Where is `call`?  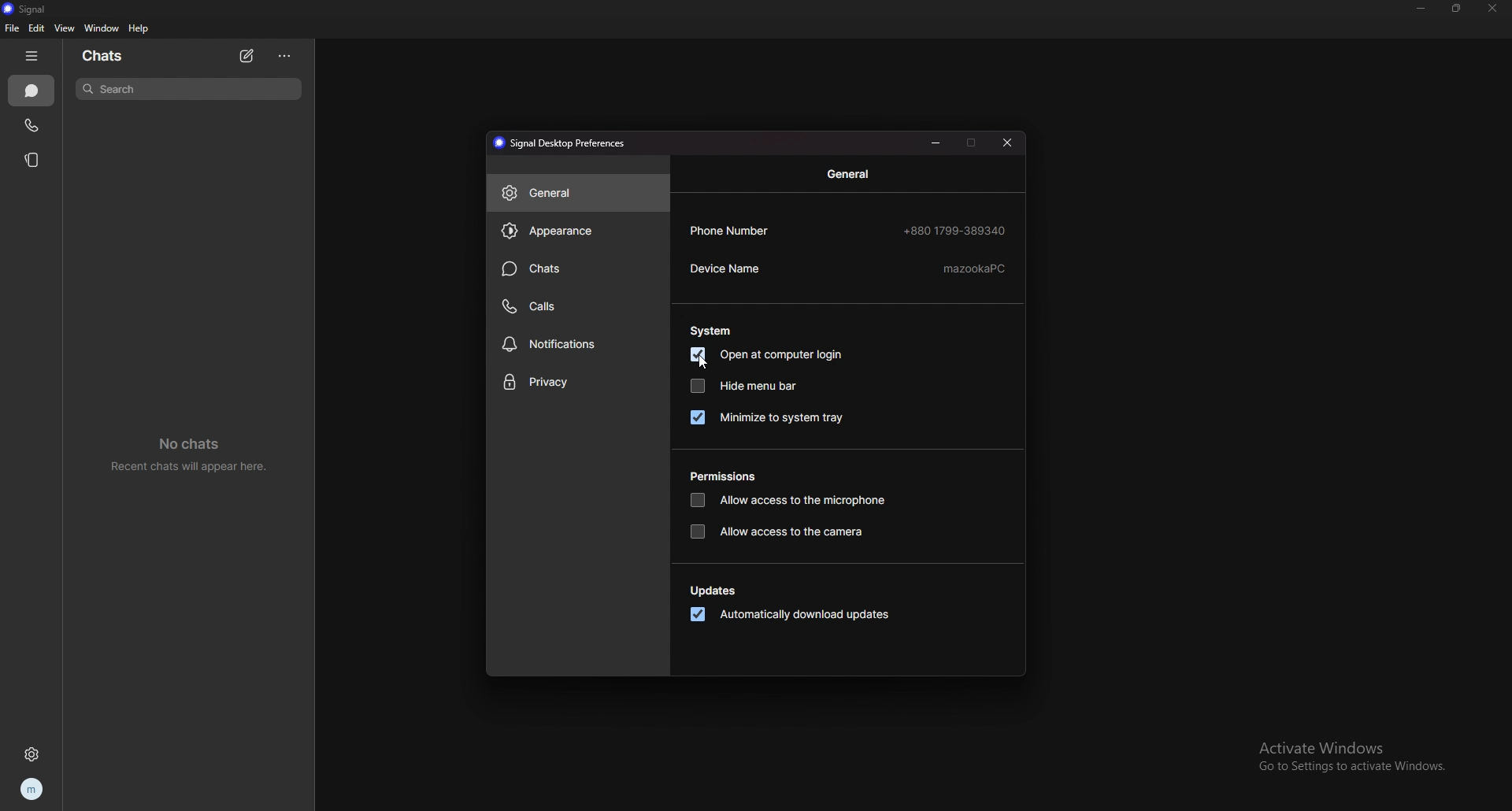 call is located at coordinates (31, 126).